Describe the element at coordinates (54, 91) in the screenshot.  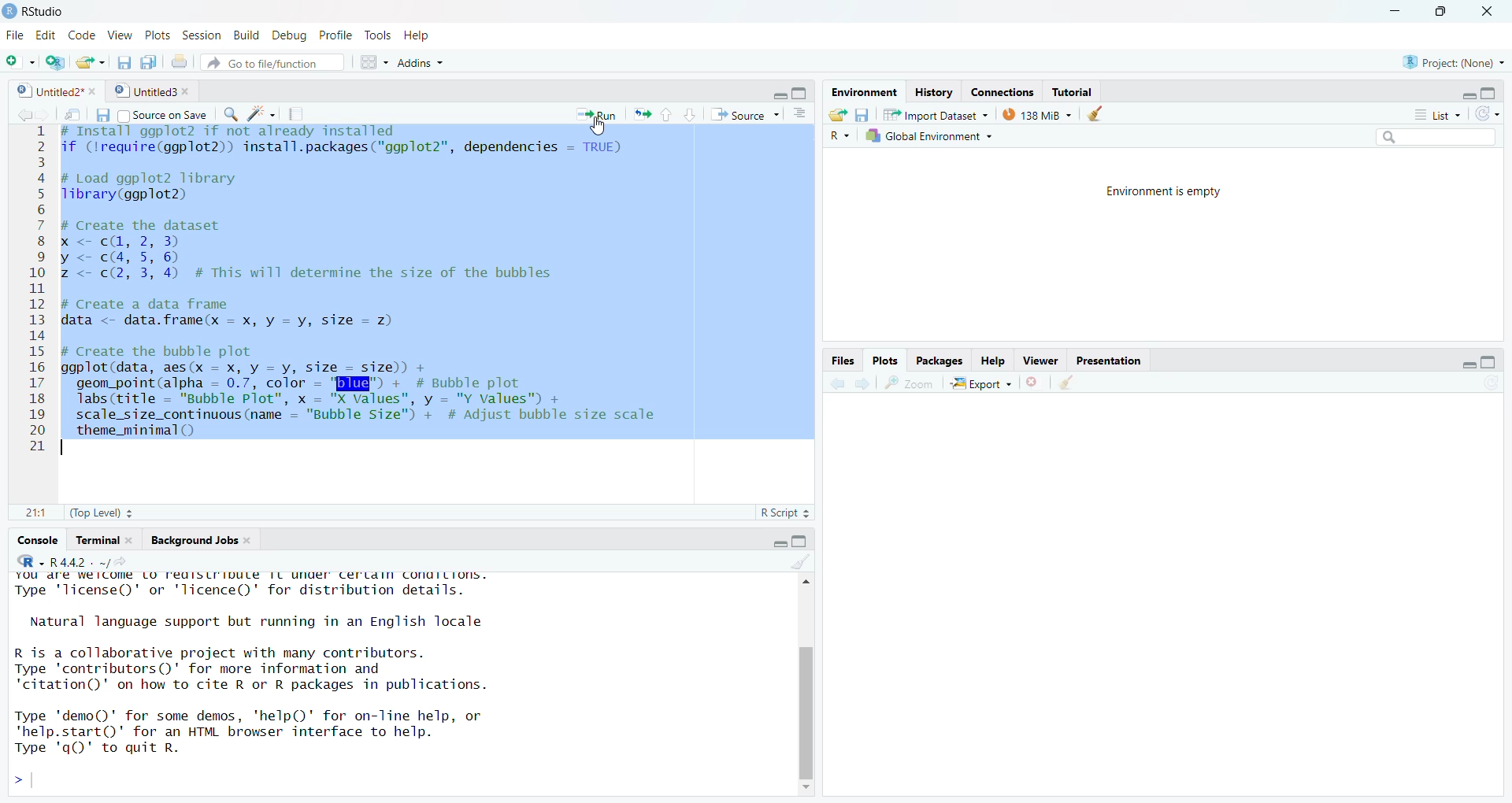
I see `Untitled2` at that location.